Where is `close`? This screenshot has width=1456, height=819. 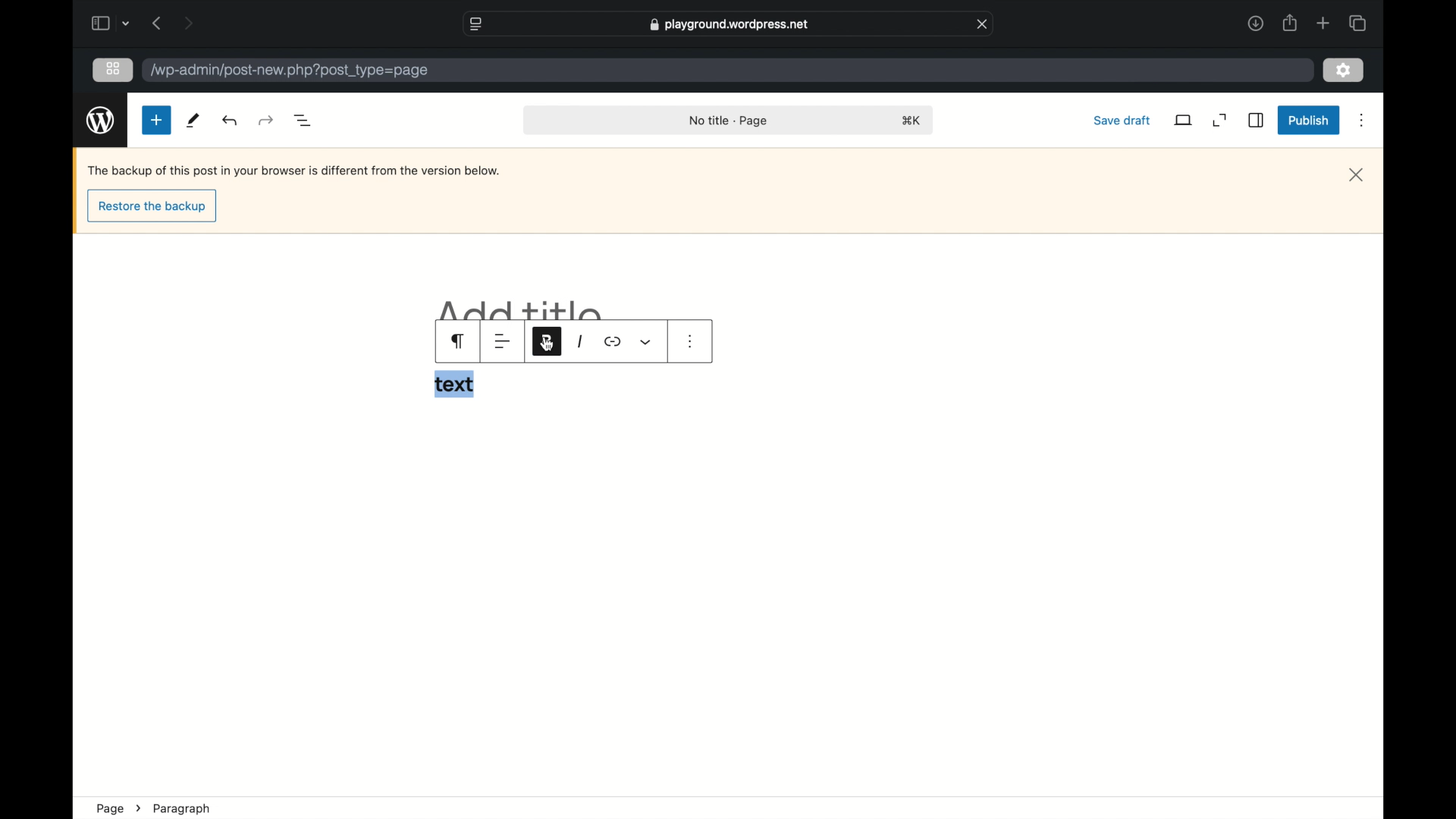
close is located at coordinates (1357, 175).